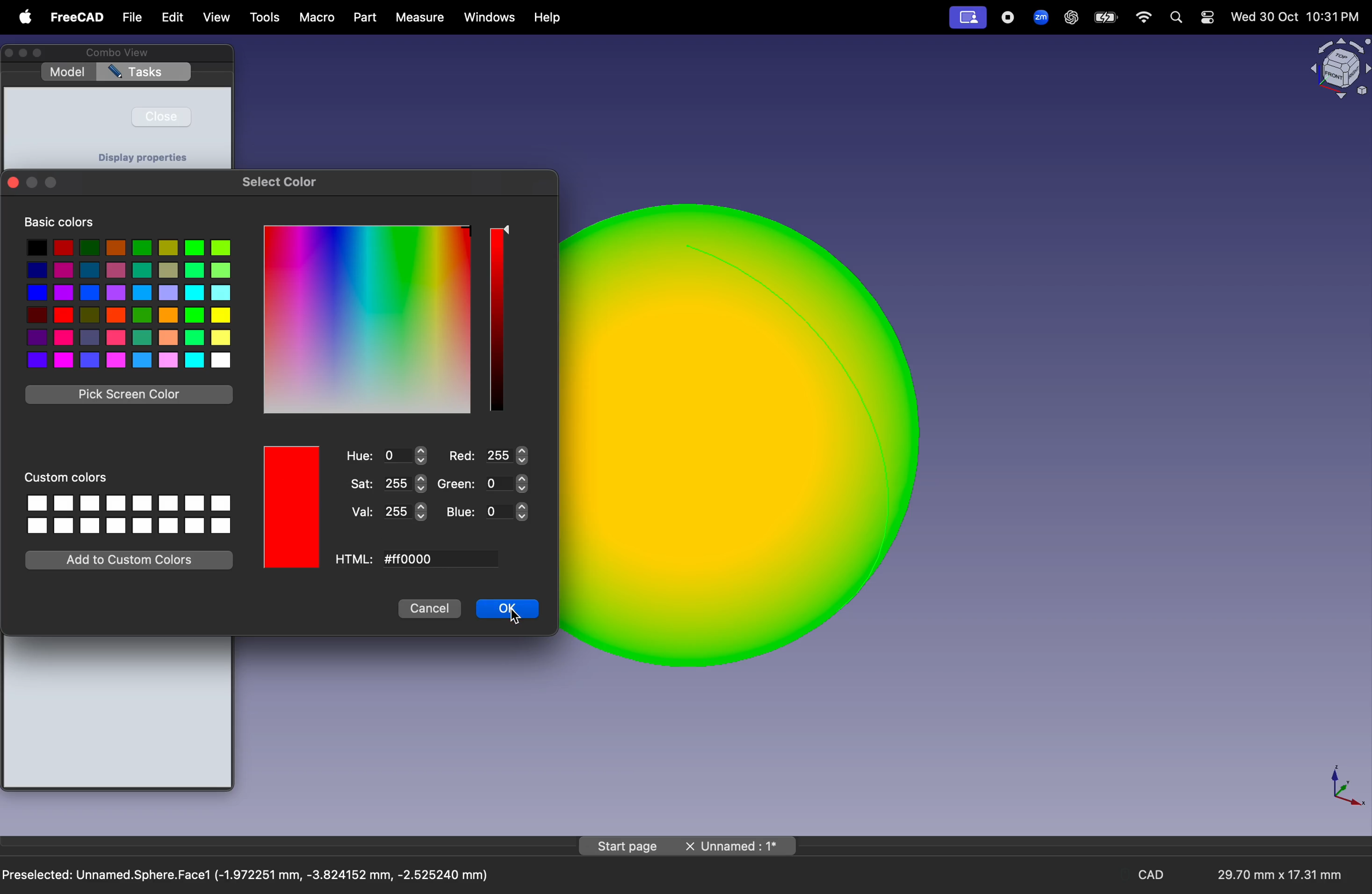 This screenshot has height=894, width=1372. What do you see at coordinates (1175, 17) in the screenshot?
I see `search` at bounding box center [1175, 17].